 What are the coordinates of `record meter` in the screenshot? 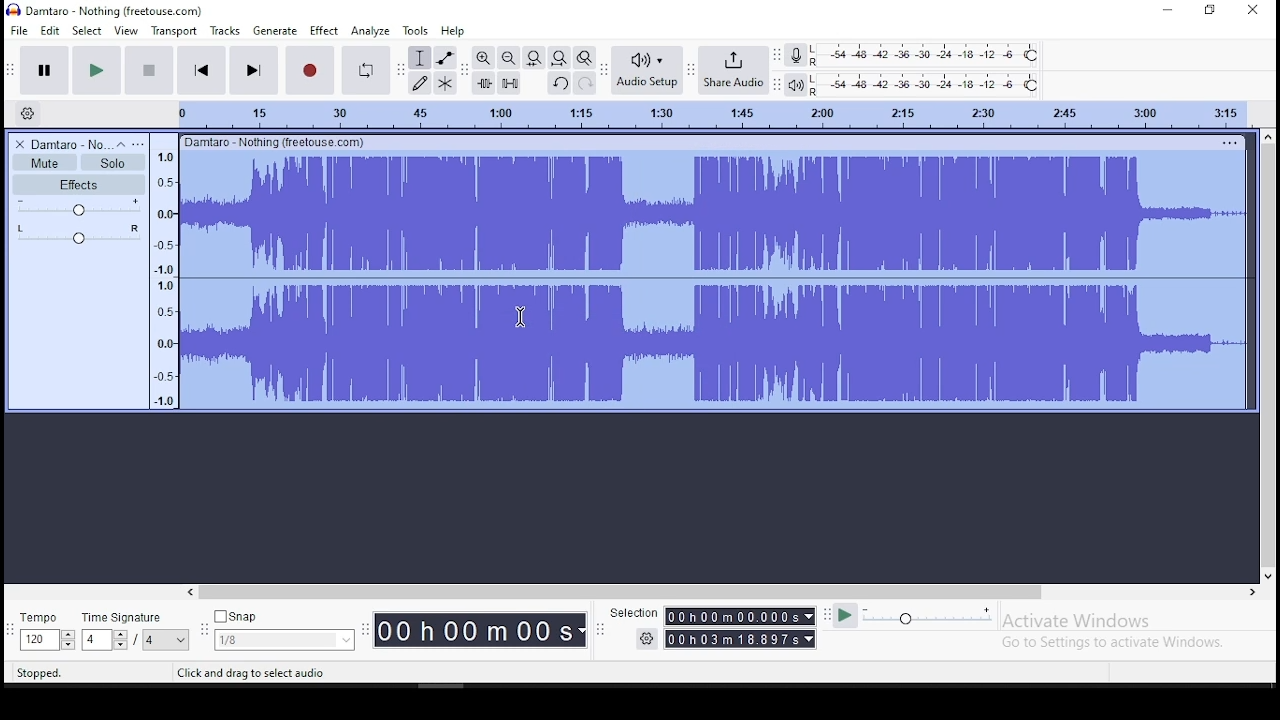 It's located at (794, 56).